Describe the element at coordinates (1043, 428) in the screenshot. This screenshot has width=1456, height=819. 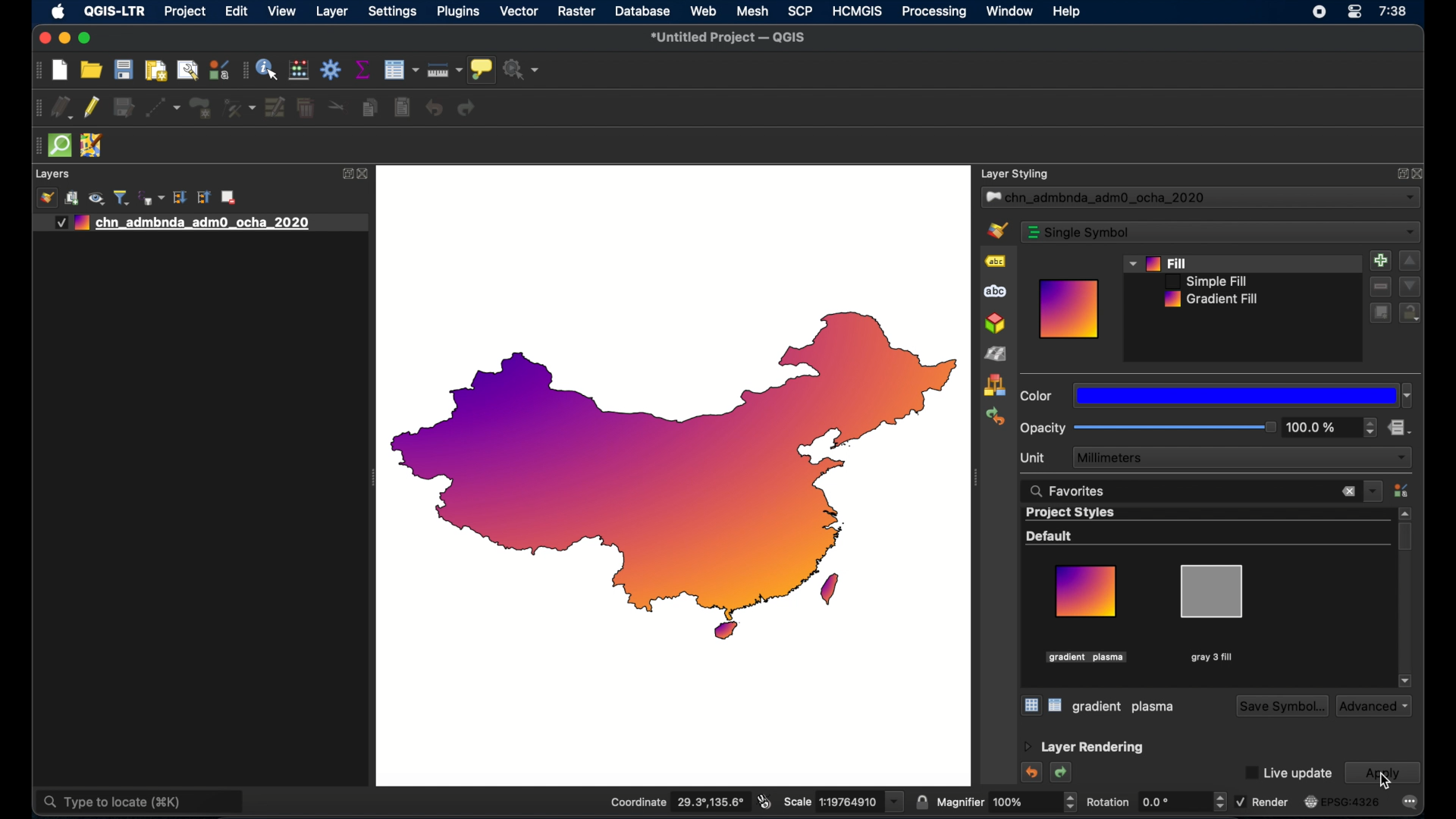
I see `opacity` at that location.